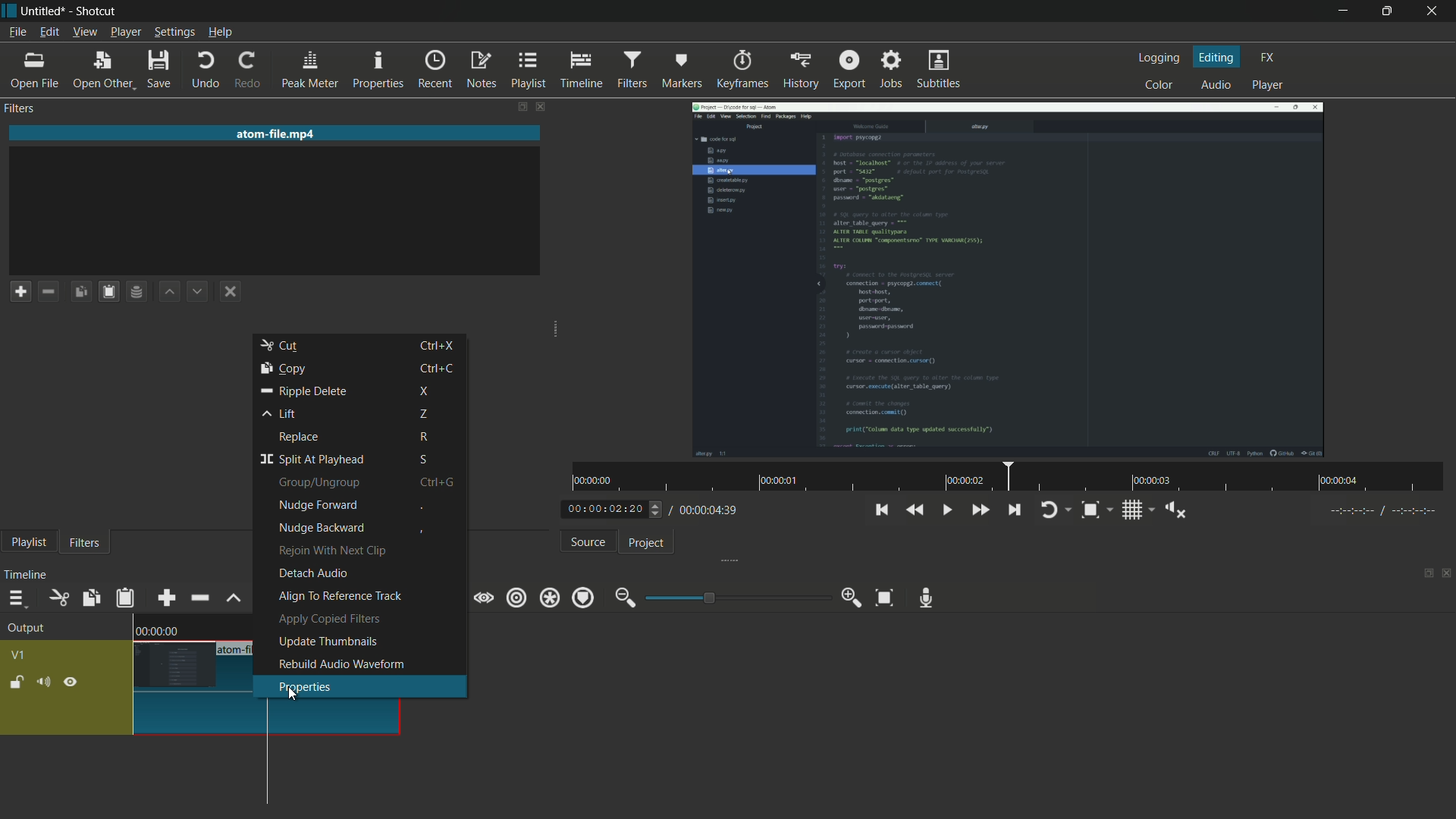 Image resolution: width=1456 pixels, height=819 pixels. I want to click on copy checked filters, so click(80, 292).